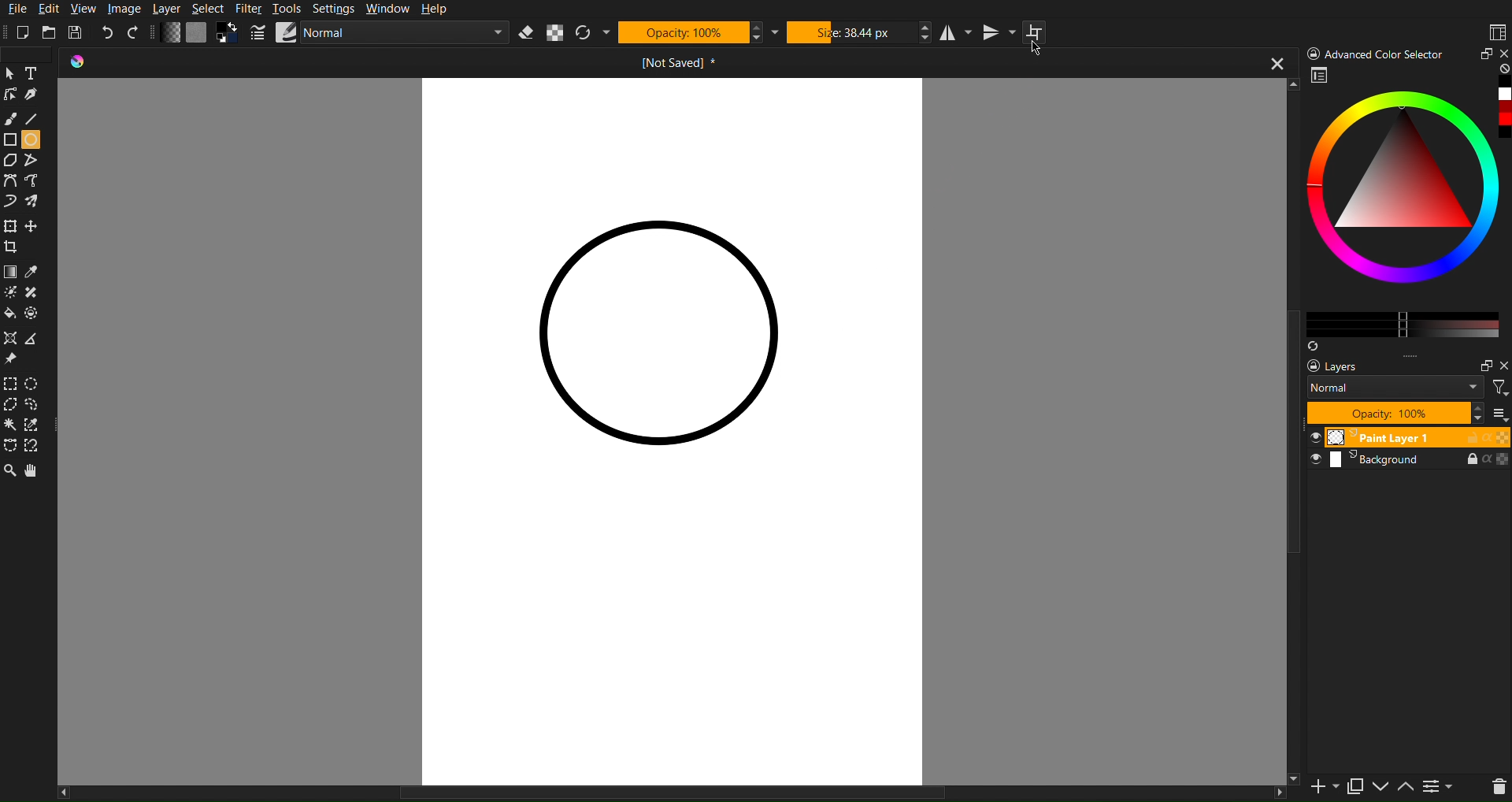 This screenshot has width=1512, height=802. I want to click on Shape, so click(30, 313).